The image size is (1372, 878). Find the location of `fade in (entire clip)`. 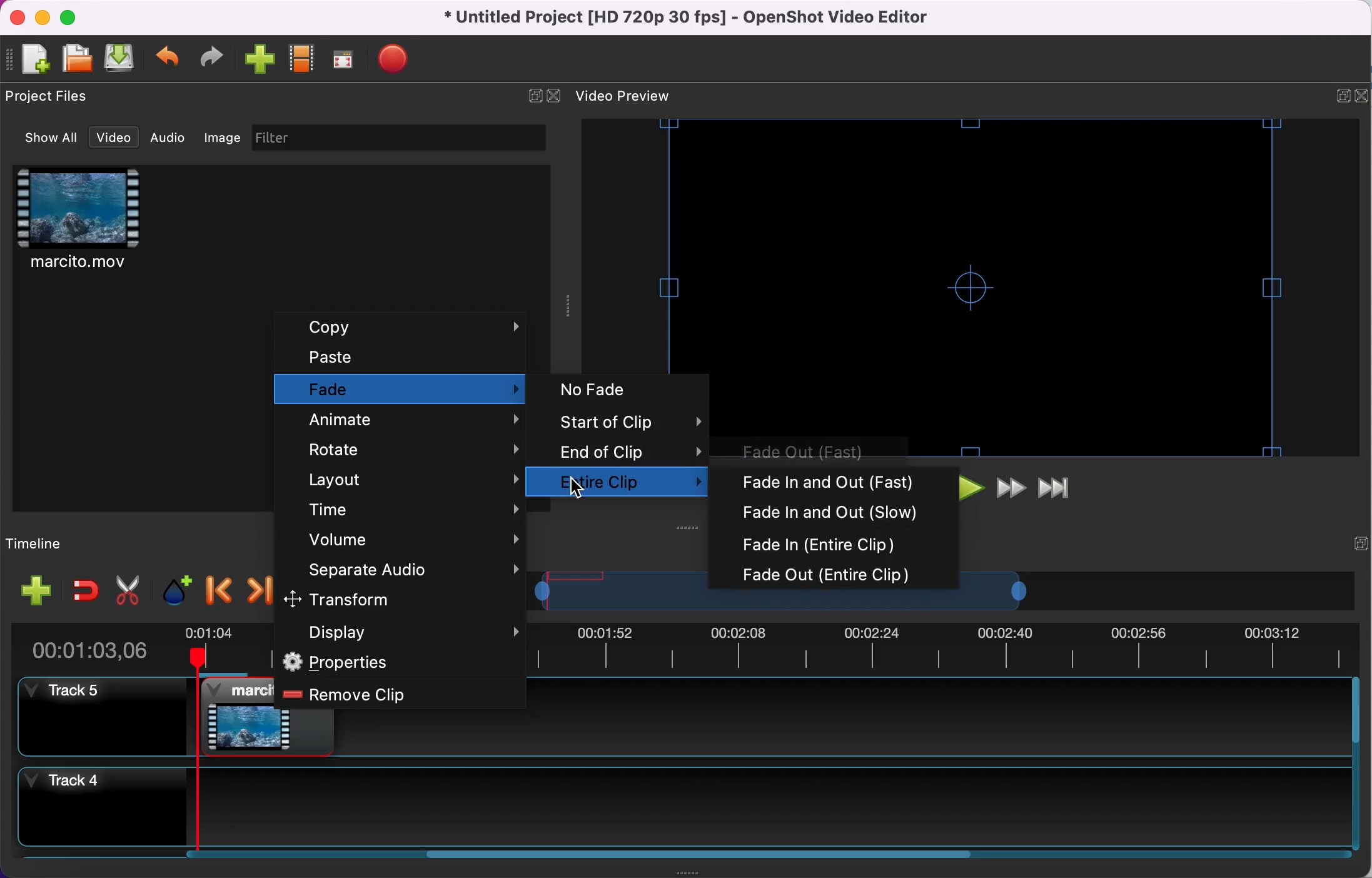

fade in (entire clip) is located at coordinates (837, 543).